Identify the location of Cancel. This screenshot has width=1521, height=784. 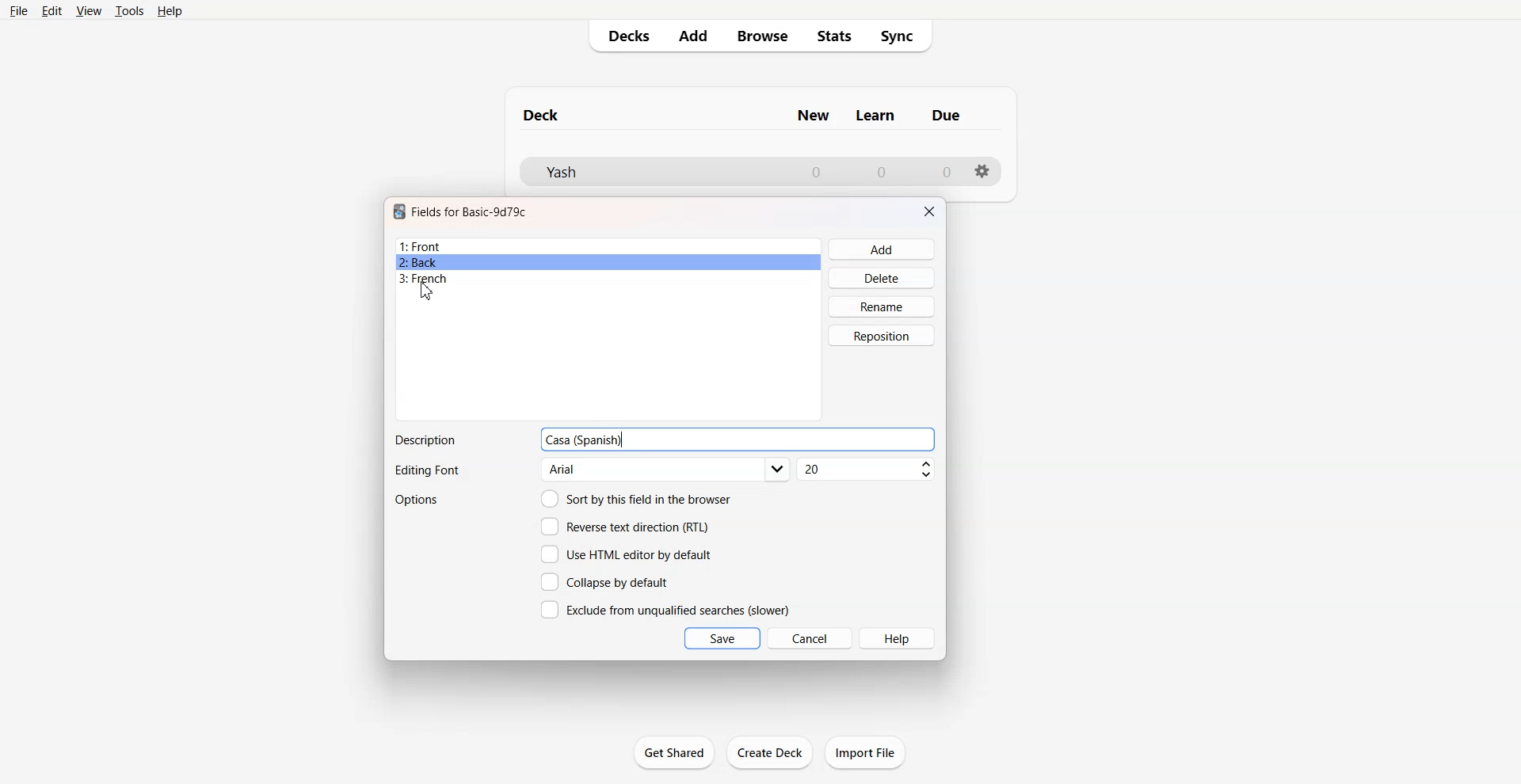
(810, 637).